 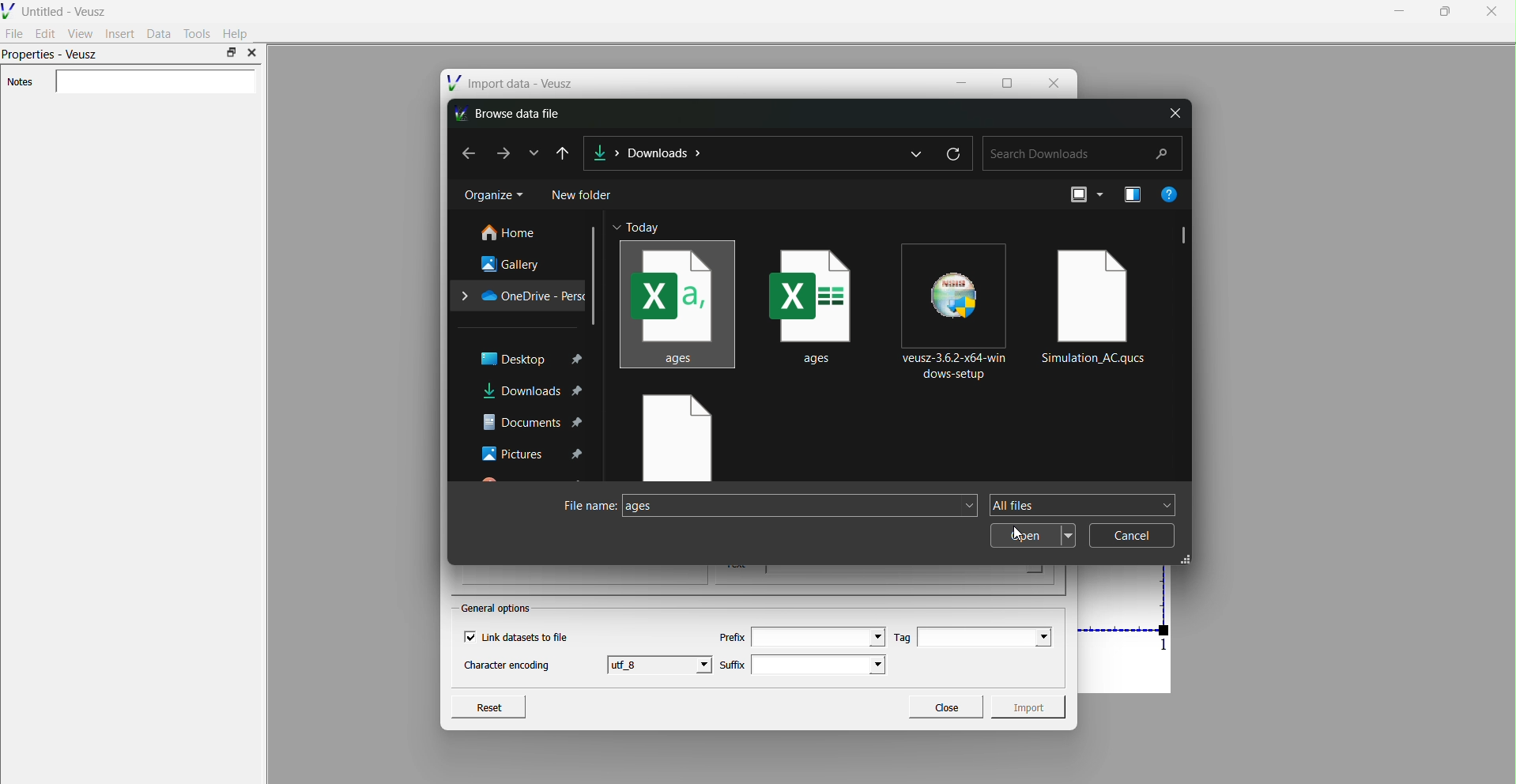 I want to click on Character encoding, so click(x=507, y=666).